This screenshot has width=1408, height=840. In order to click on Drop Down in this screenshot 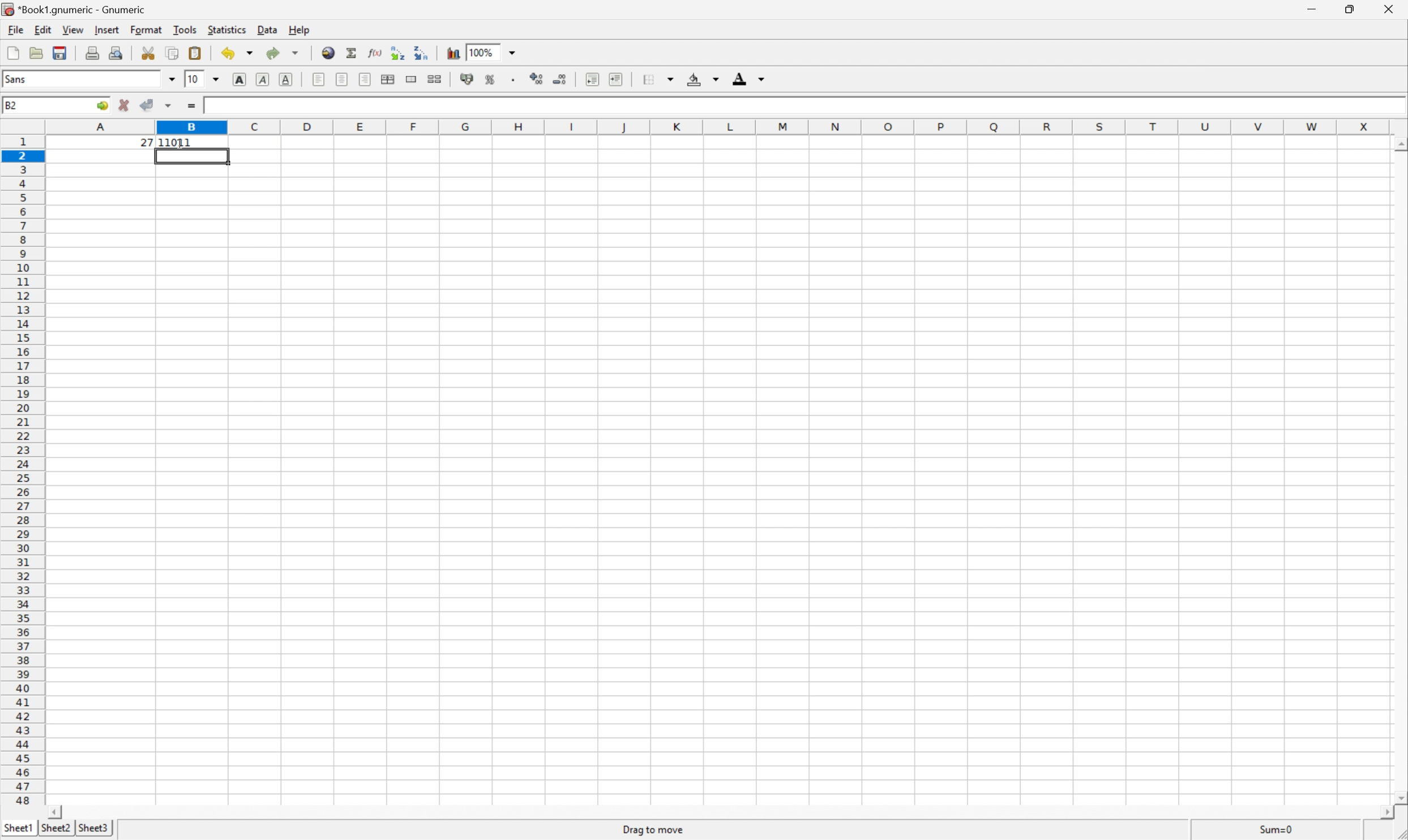, I will do `click(513, 52)`.